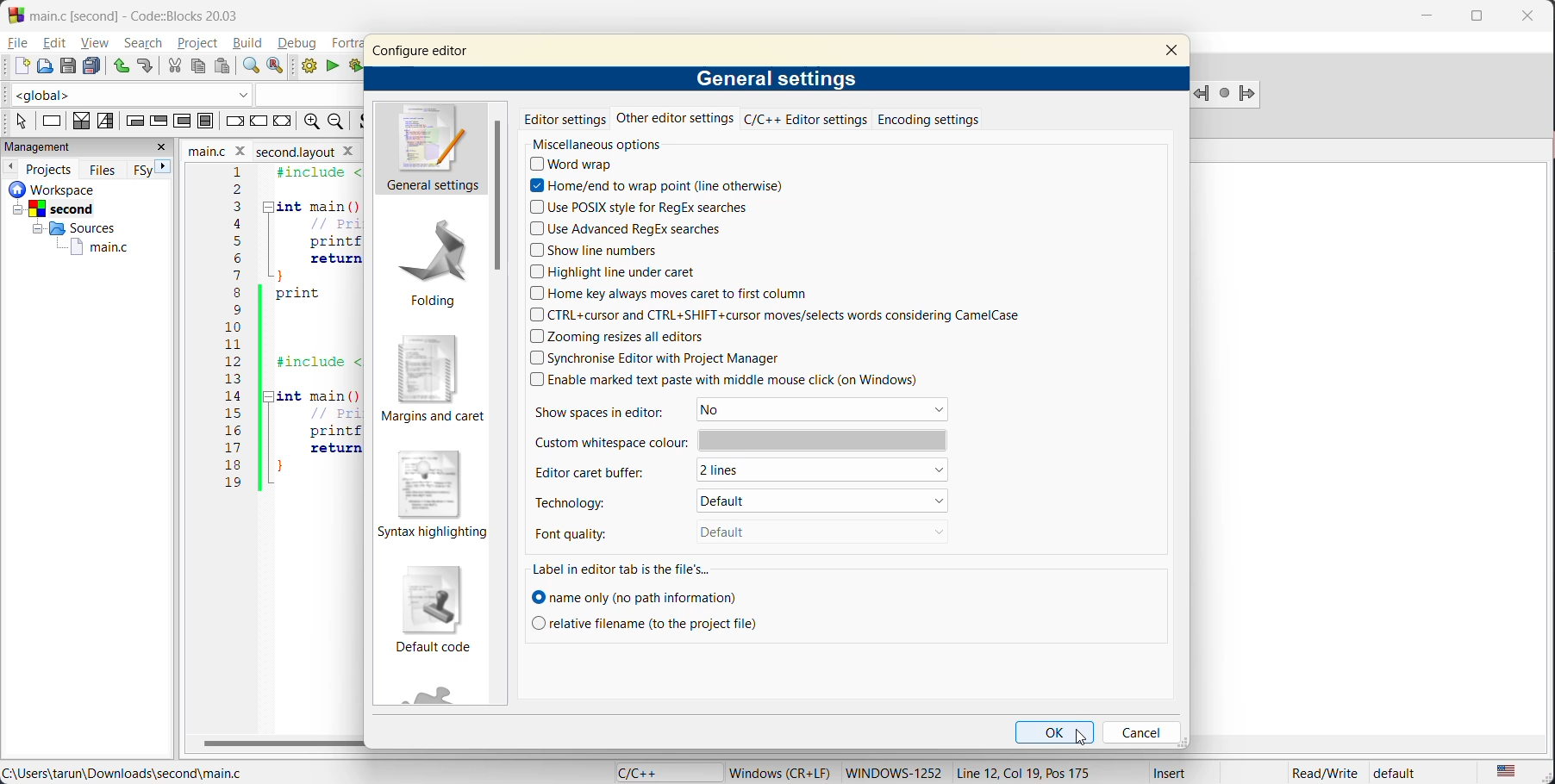 The width and height of the screenshot is (1555, 784). What do you see at coordinates (250, 45) in the screenshot?
I see `build` at bounding box center [250, 45].